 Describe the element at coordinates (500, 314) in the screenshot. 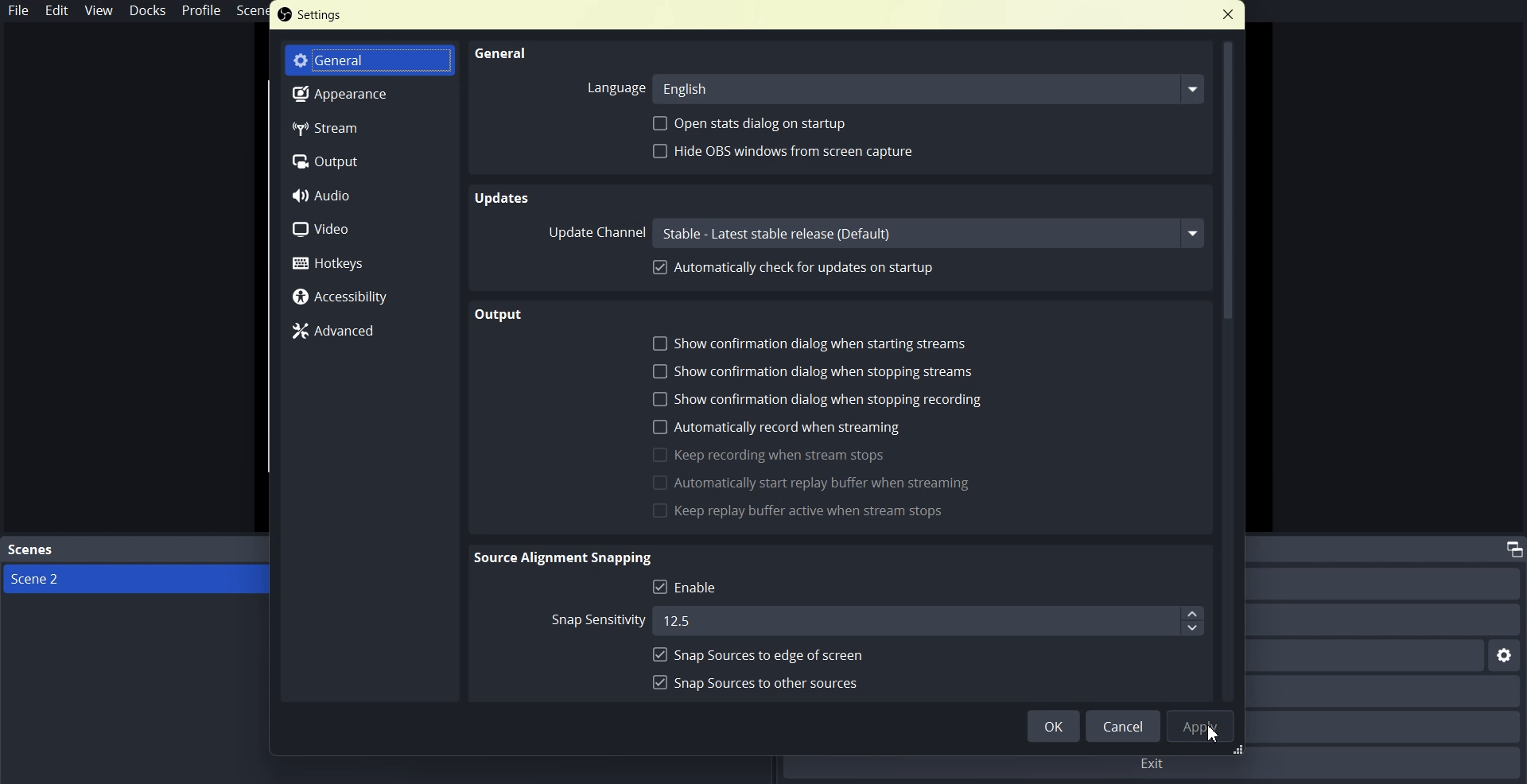

I see `Text` at that location.